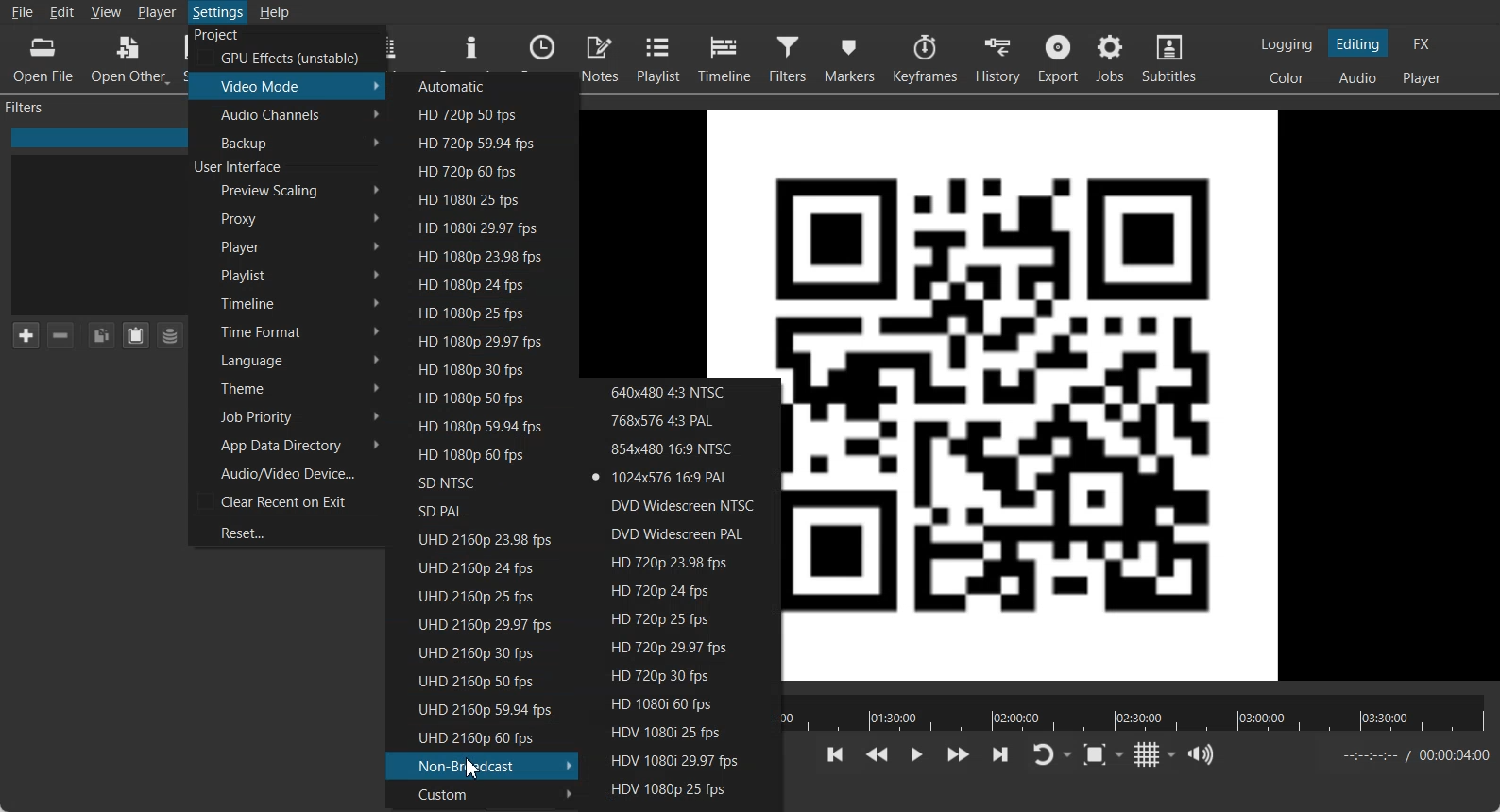 Image resolution: width=1500 pixels, height=812 pixels. Describe the element at coordinates (475, 595) in the screenshot. I see `UHD 2160p 25 fps` at that location.